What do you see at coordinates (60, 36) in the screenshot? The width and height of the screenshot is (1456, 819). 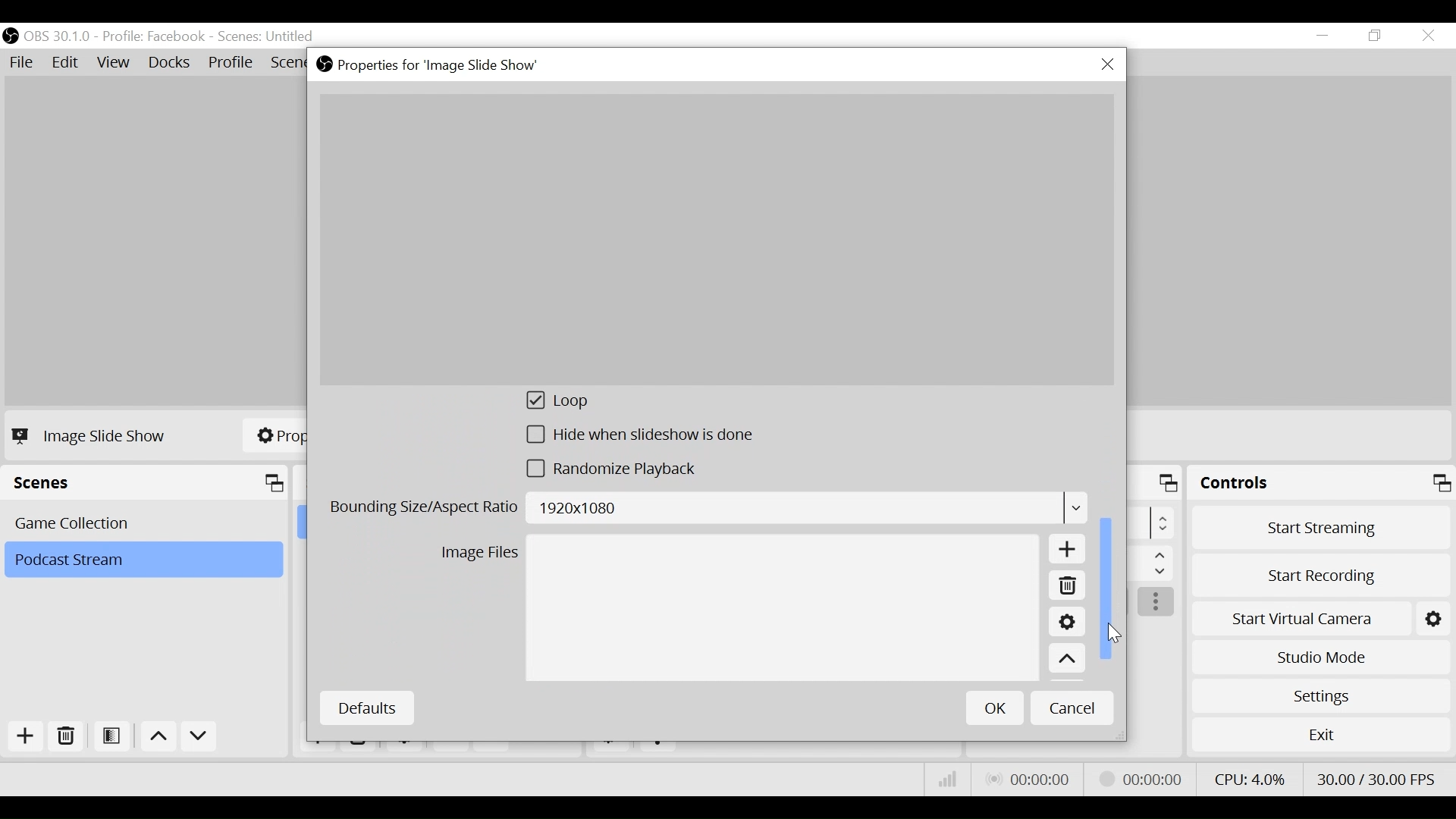 I see `OBS Version` at bounding box center [60, 36].